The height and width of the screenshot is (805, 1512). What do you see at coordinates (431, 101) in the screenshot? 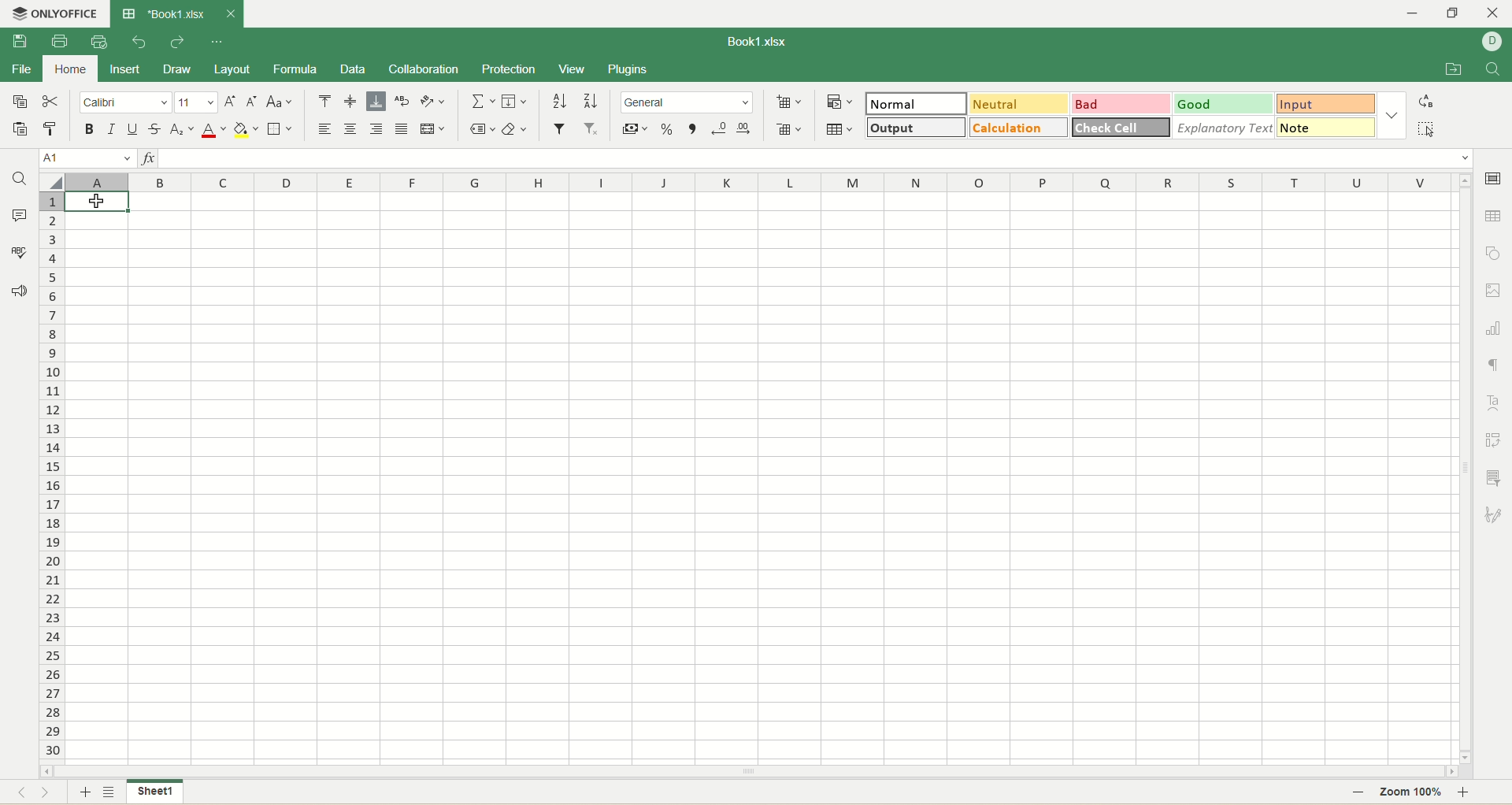
I see `orientation` at bounding box center [431, 101].